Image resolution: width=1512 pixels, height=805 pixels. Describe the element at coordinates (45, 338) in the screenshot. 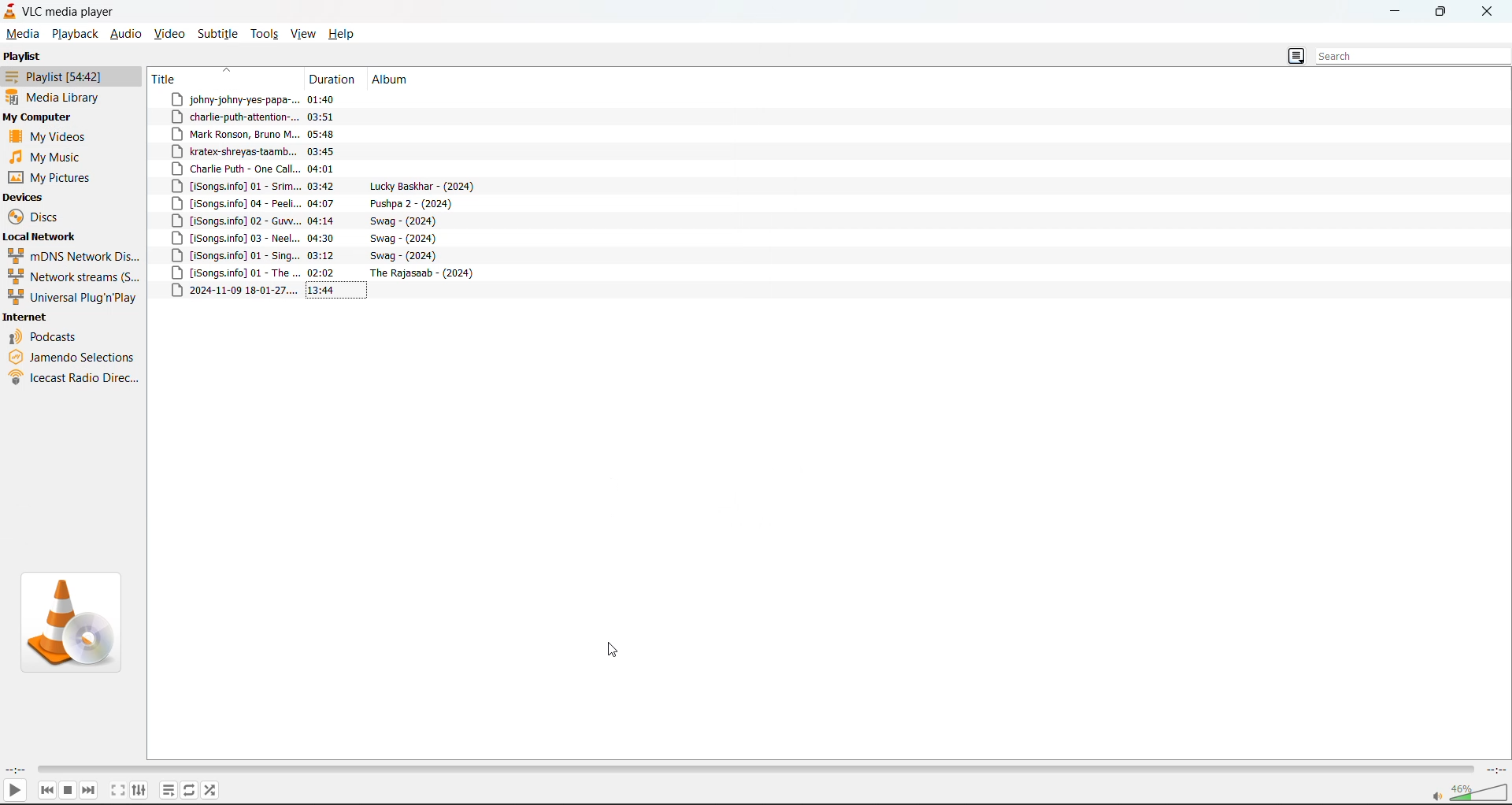

I see `podcasts` at that location.